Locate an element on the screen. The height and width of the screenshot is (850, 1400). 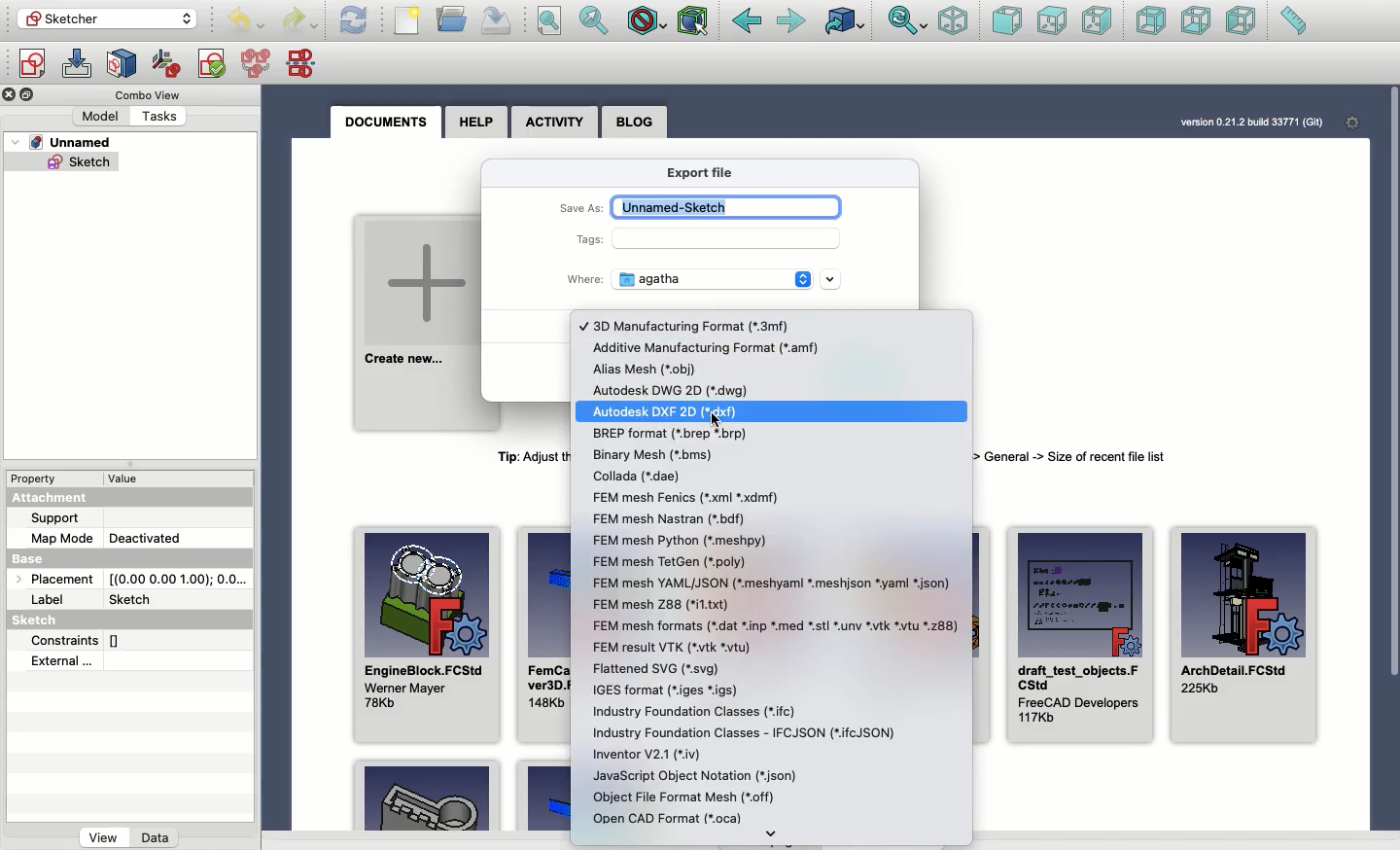
YAML/JSON is located at coordinates (774, 584).